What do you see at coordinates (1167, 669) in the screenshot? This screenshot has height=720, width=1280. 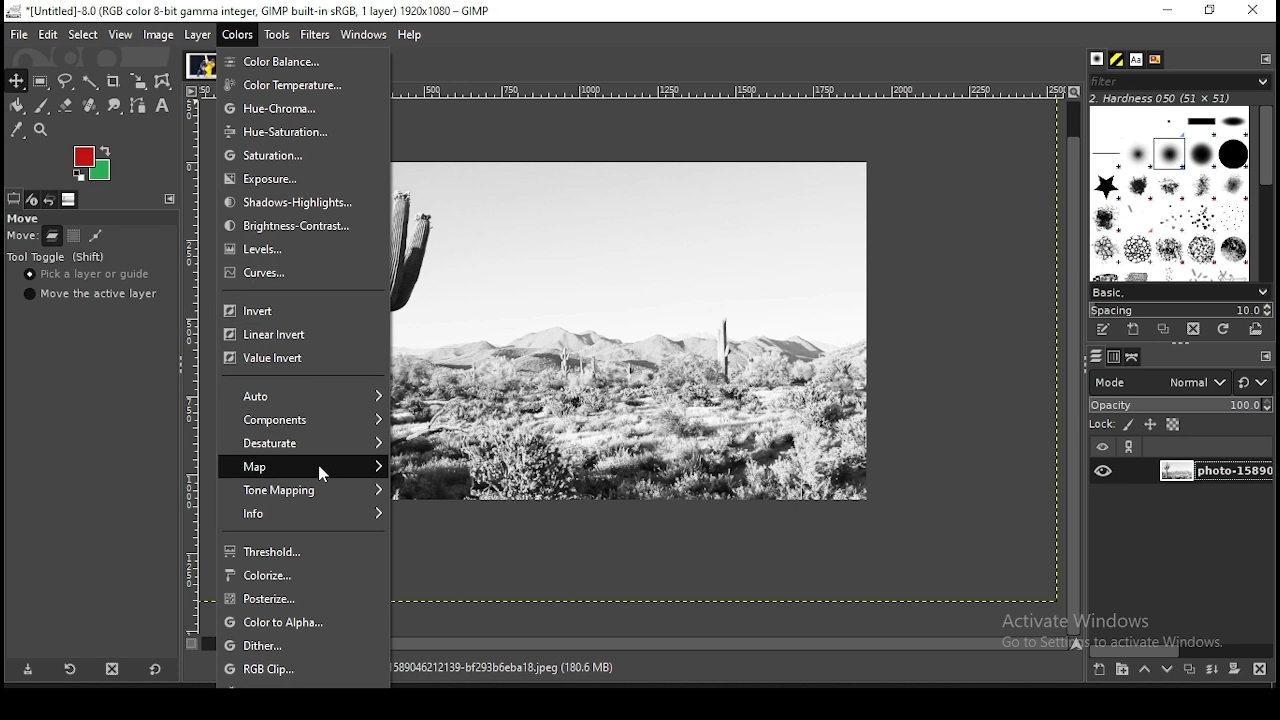 I see `move layer one step down` at bounding box center [1167, 669].